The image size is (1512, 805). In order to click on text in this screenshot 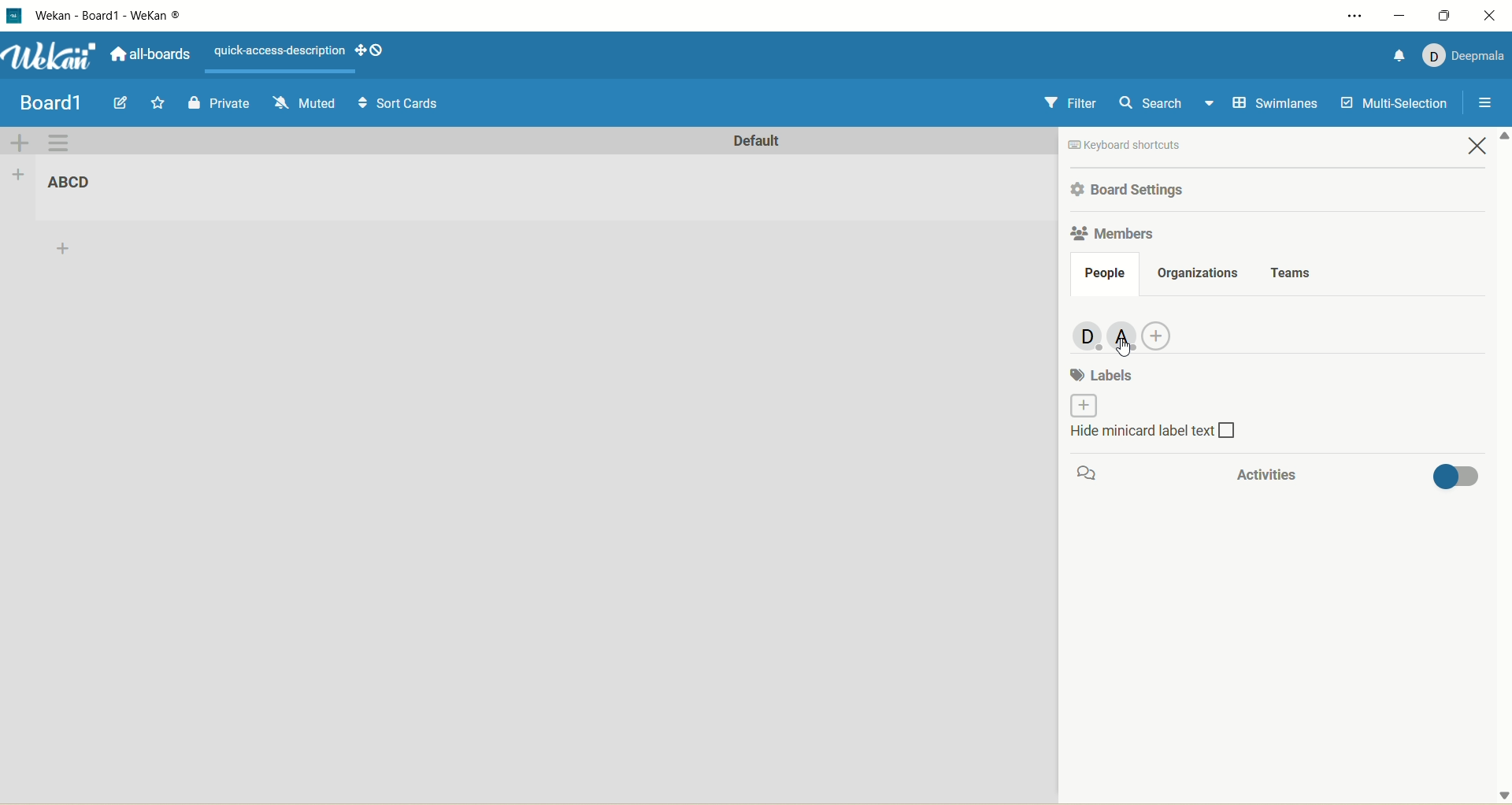, I will do `click(276, 49)`.